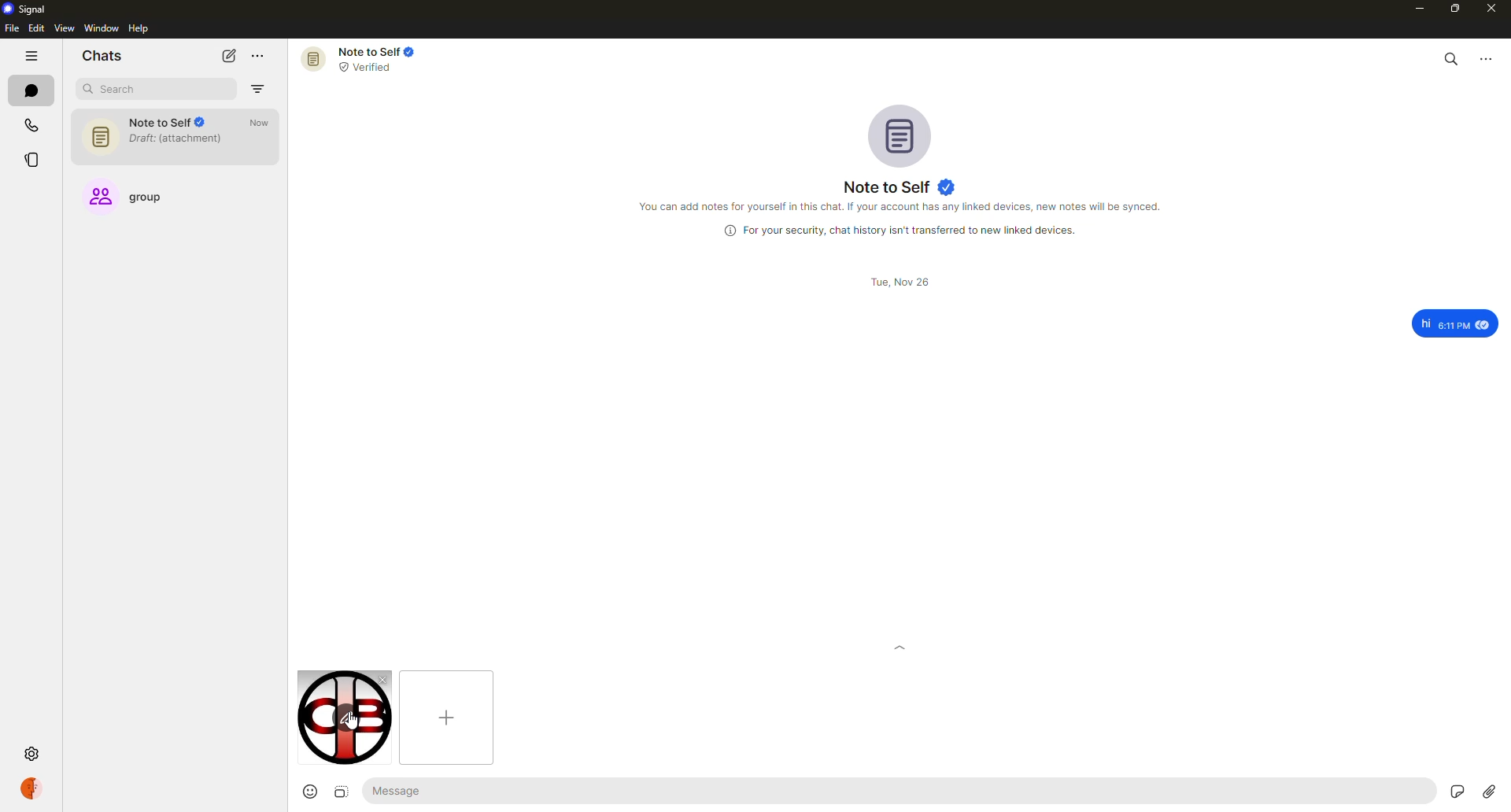  What do you see at coordinates (904, 206) in the screenshot?
I see `info` at bounding box center [904, 206].